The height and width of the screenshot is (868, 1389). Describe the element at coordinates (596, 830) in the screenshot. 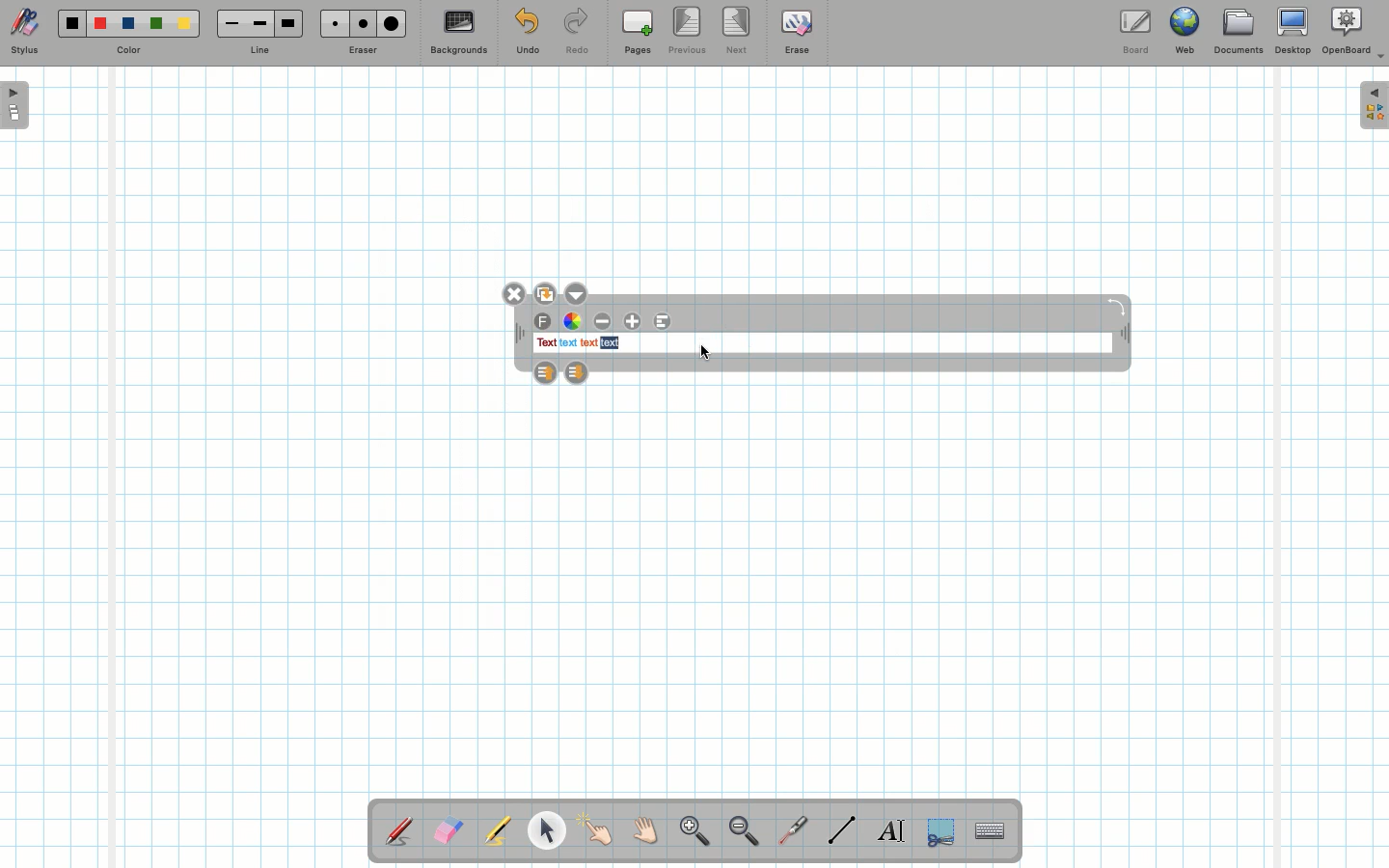

I see `Pointer` at that location.